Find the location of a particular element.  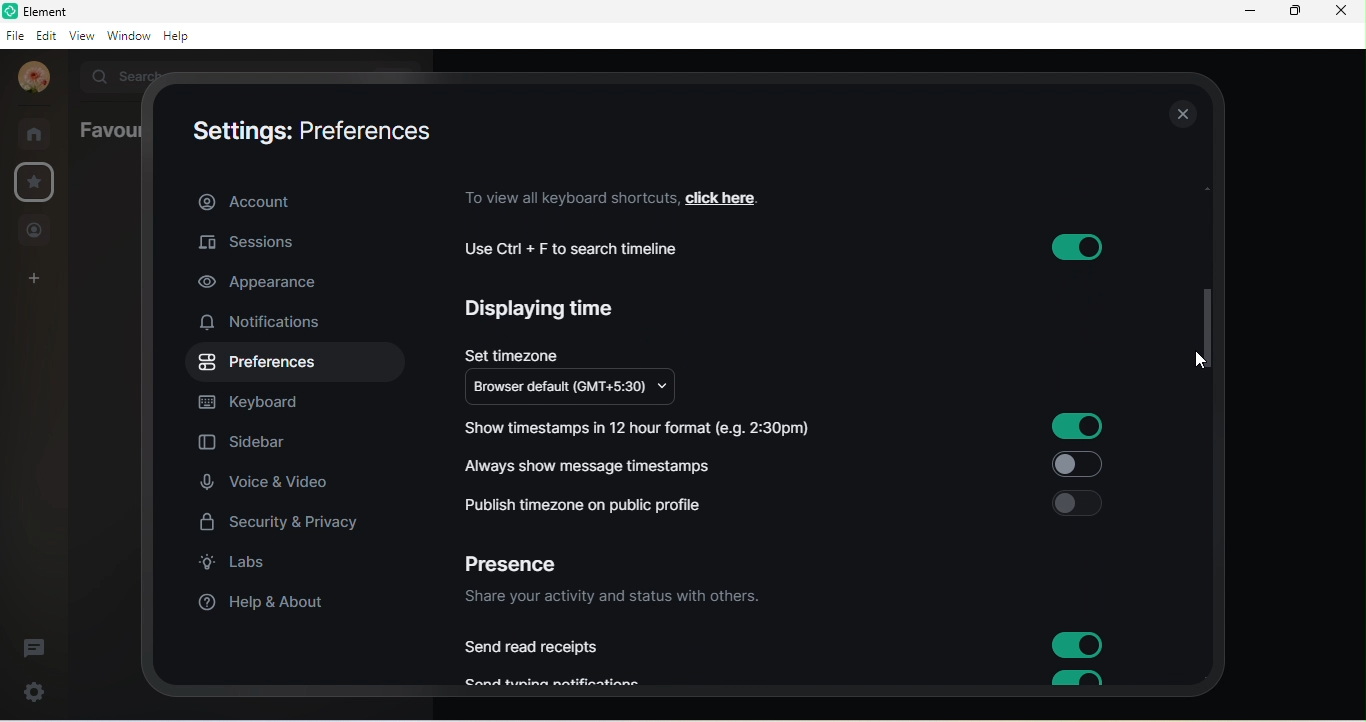

send read receipts is located at coordinates (536, 647).